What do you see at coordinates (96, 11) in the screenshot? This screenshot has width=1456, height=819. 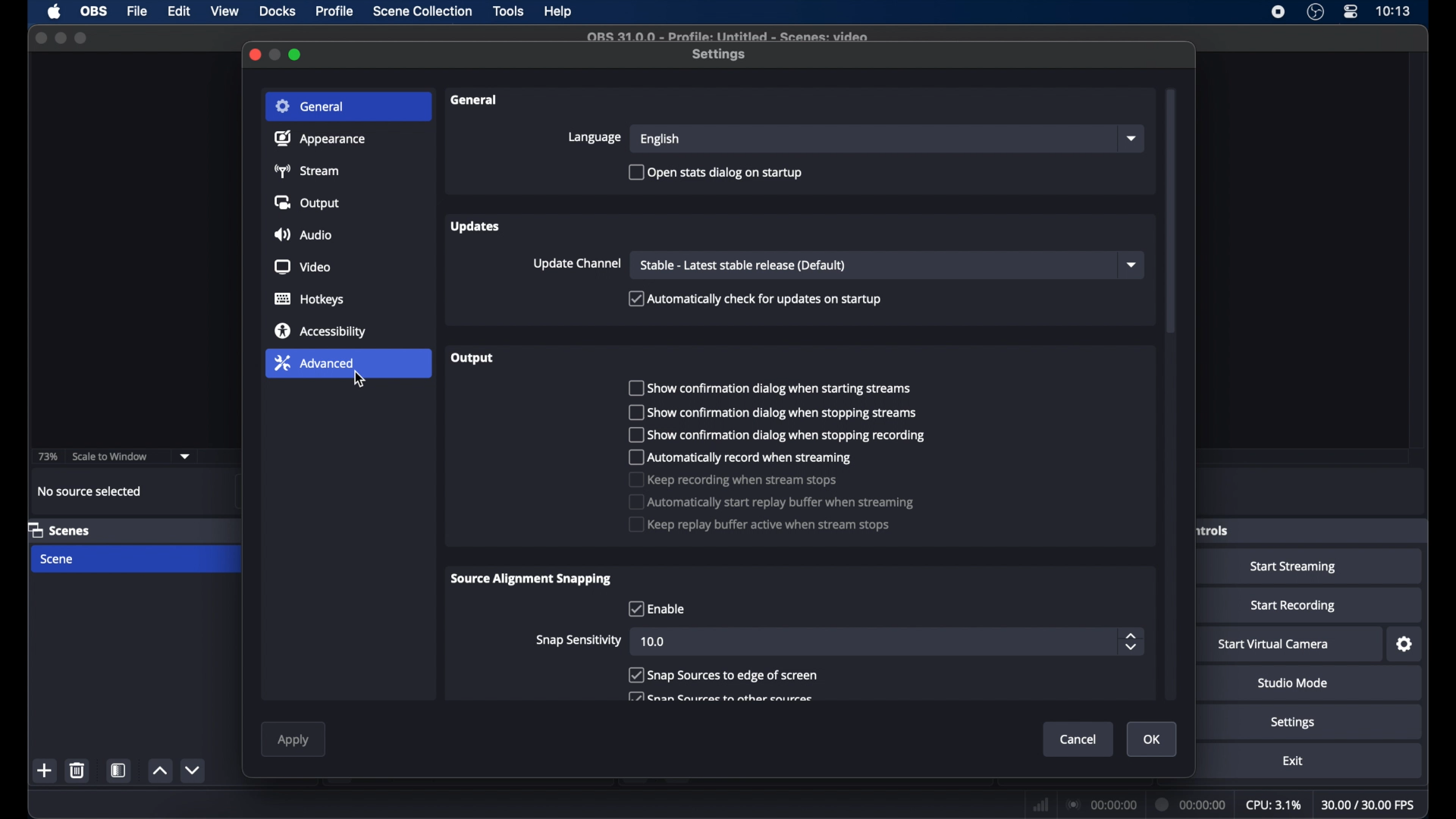 I see `obs` at bounding box center [96, 11].